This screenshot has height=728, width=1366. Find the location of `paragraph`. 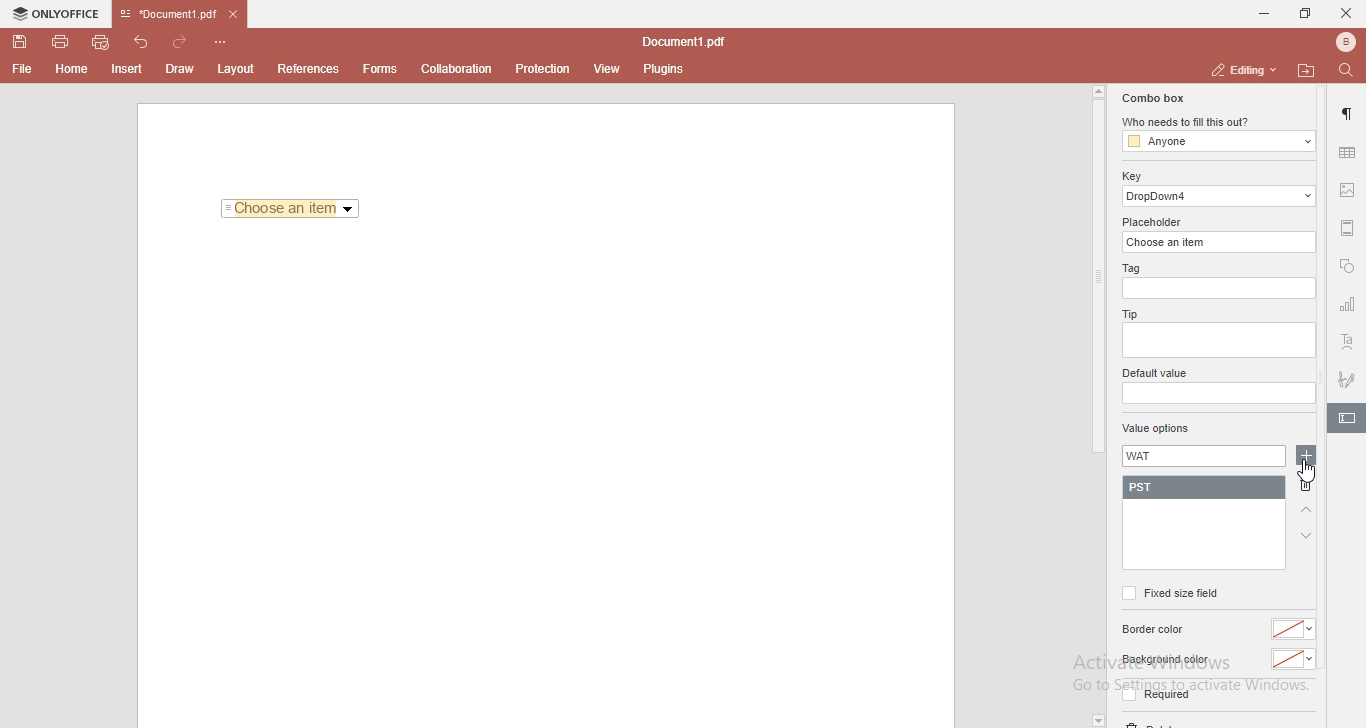

paragraph is located at coordinates (1349, 114).